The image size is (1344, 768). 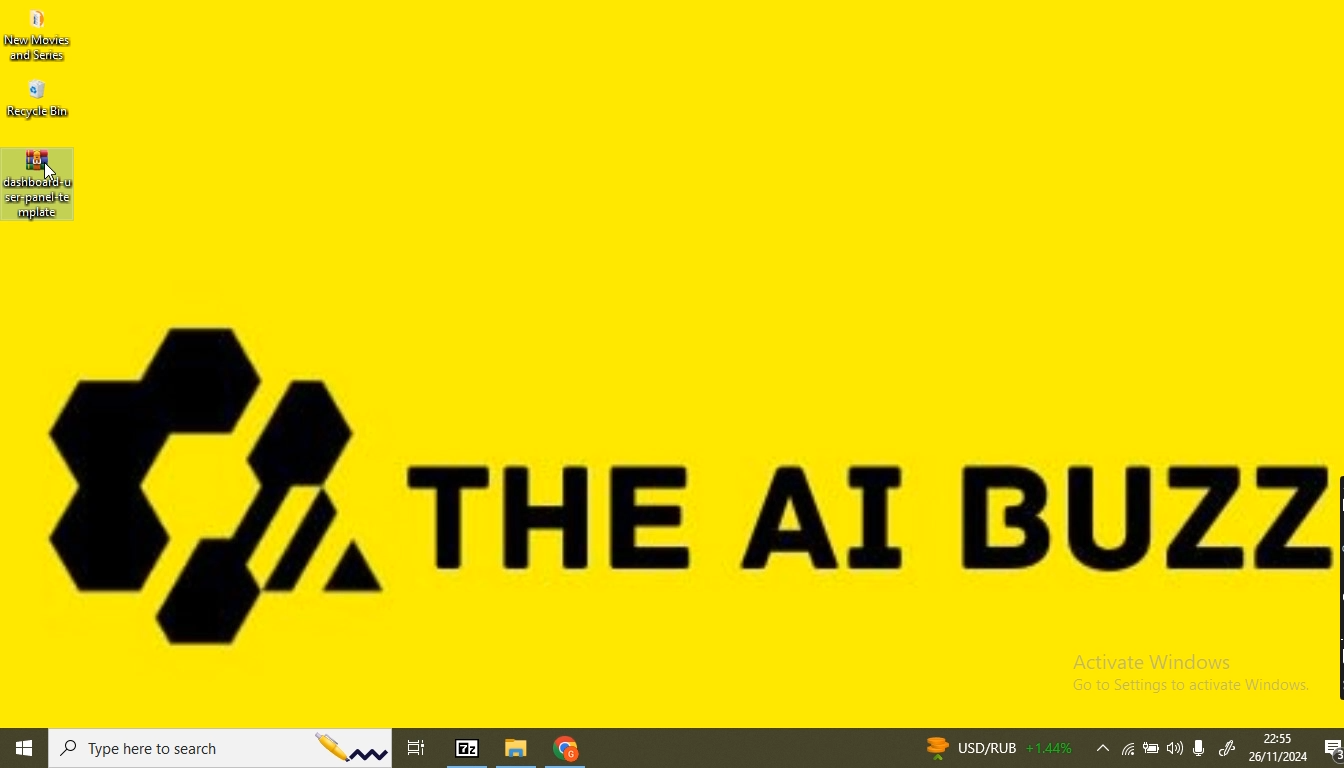 What do you see at coordinates (1152, 751) in the screenshot?
I see `battery` at bounding box center [1152, 751].